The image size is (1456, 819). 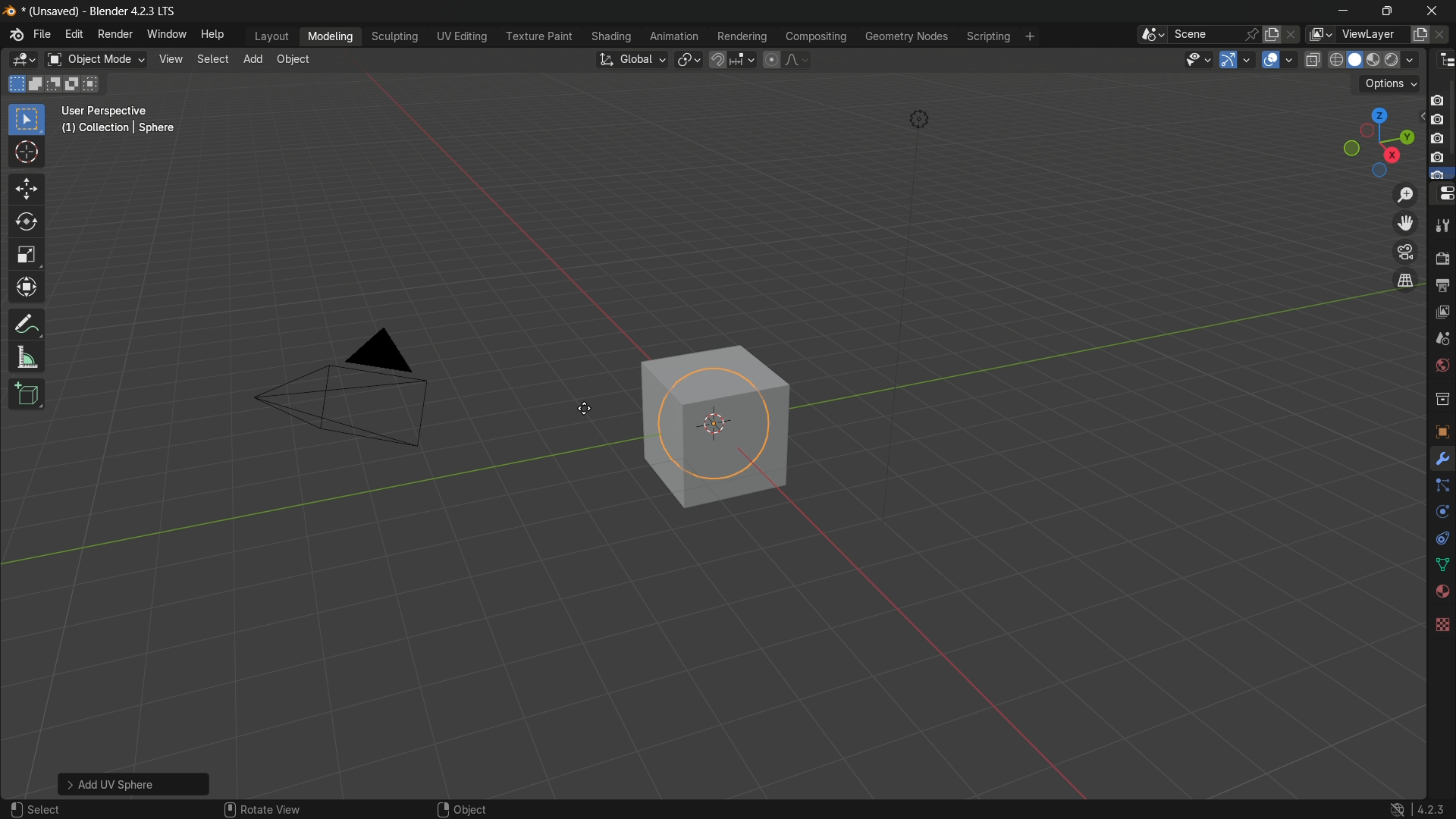 What do you see at coordinates (732, 59) in the screenshot?
I see `snap` at bounding box center [732, 59].